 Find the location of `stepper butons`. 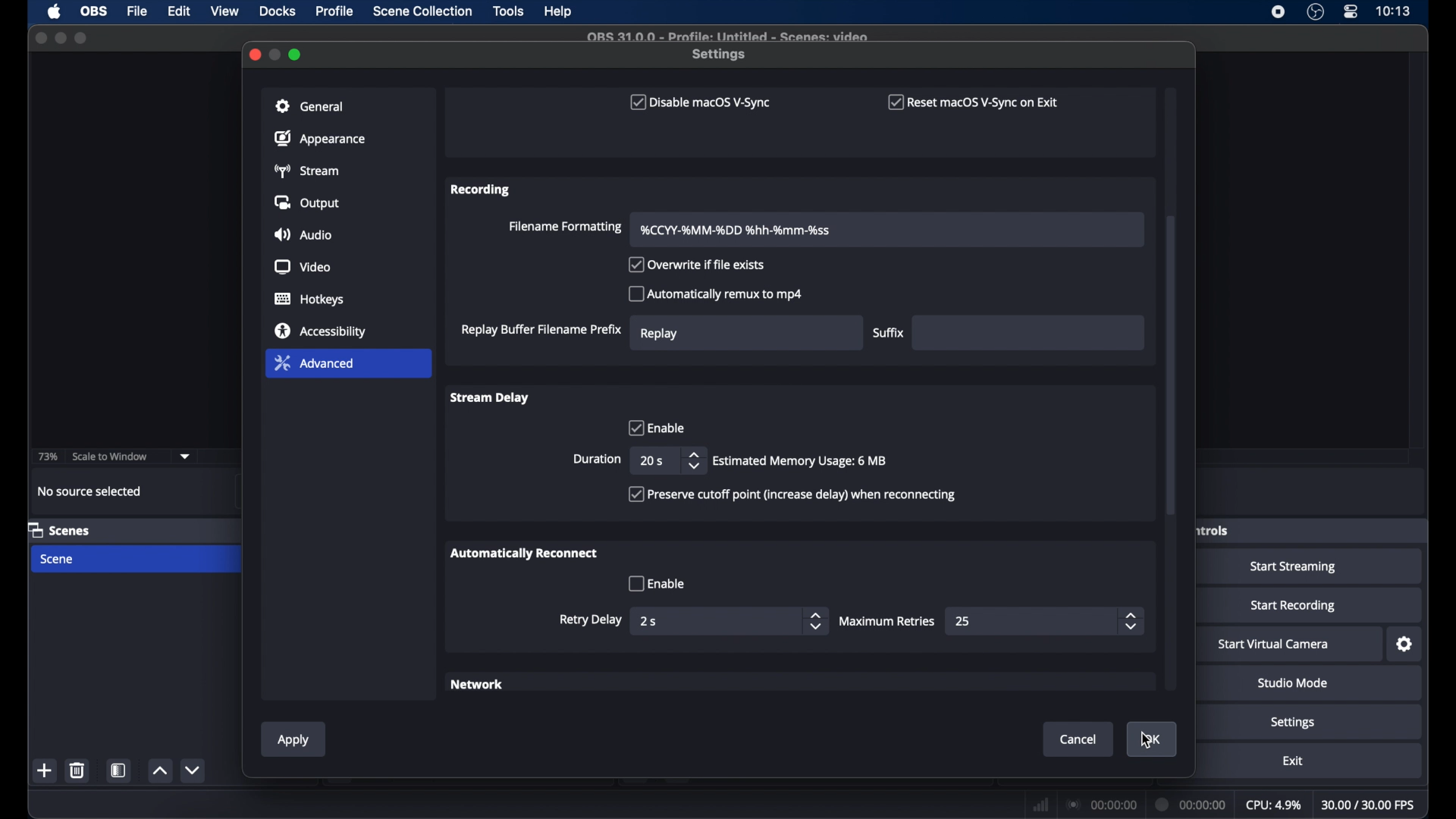

stepper butons is located at coordinates (1131, 621).